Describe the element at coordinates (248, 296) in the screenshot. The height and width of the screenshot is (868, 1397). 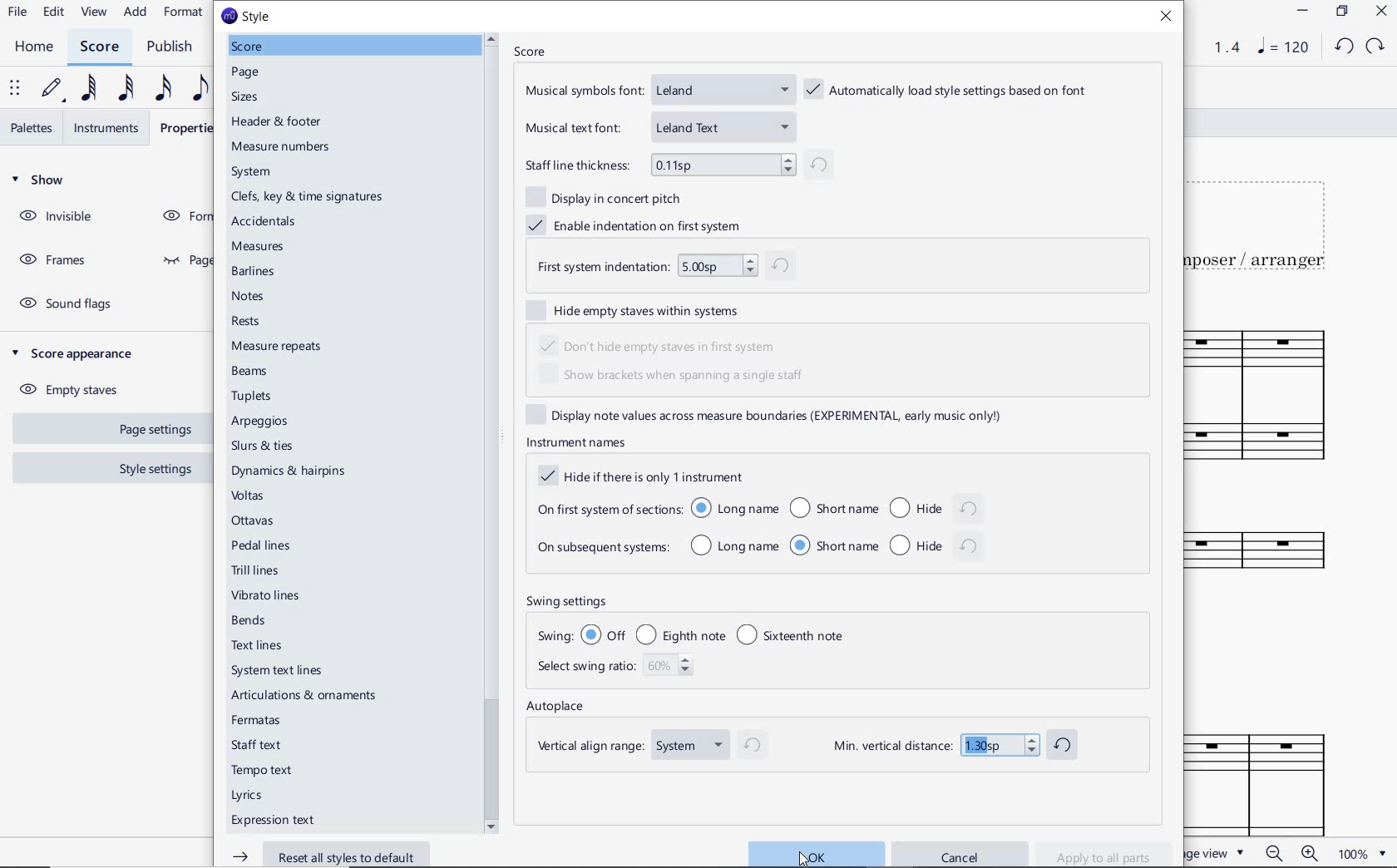
I see `notes` at that location.